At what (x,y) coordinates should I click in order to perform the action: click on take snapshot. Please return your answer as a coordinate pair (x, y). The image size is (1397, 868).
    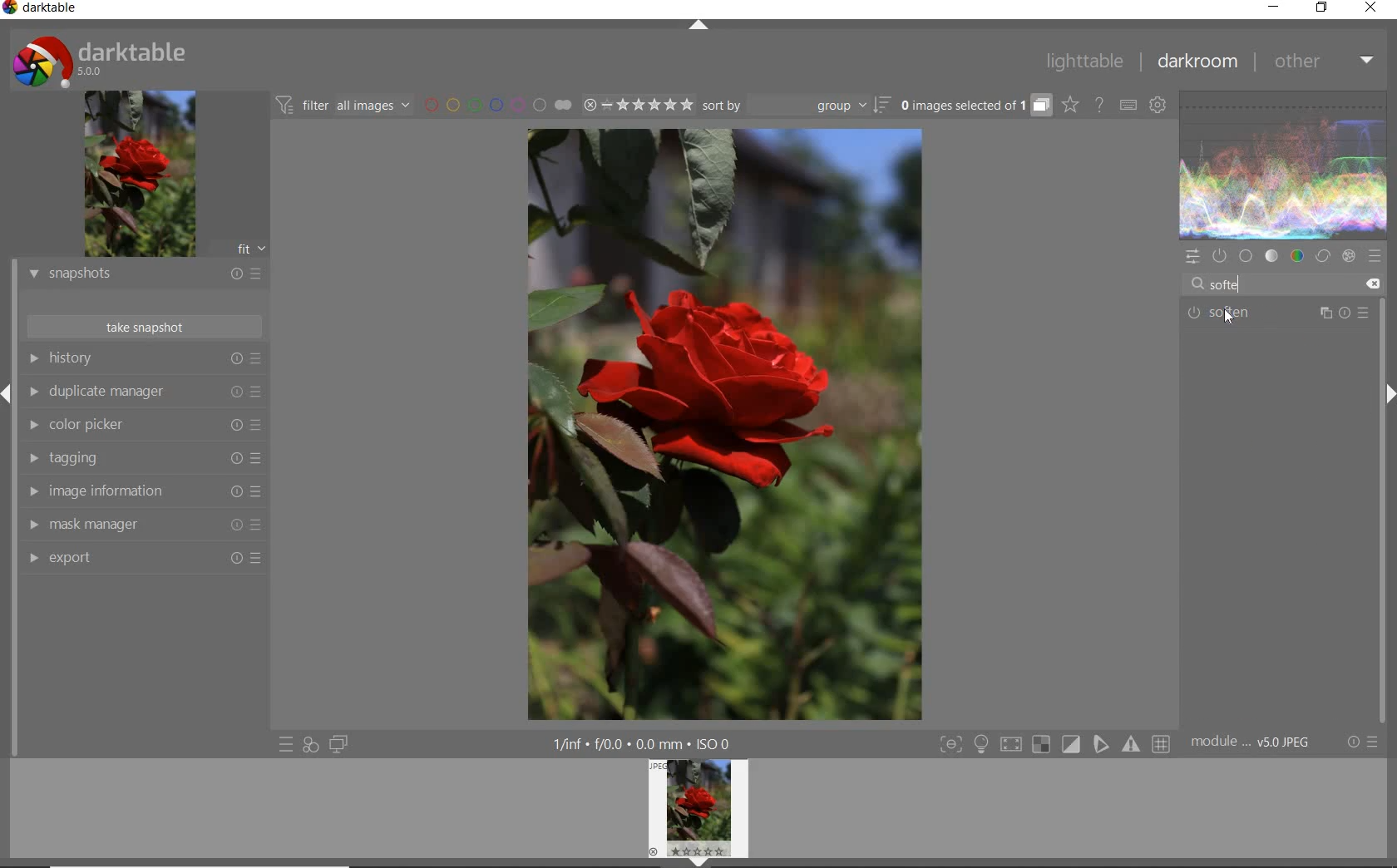
    Looking at the image, I should click on (144, 327).